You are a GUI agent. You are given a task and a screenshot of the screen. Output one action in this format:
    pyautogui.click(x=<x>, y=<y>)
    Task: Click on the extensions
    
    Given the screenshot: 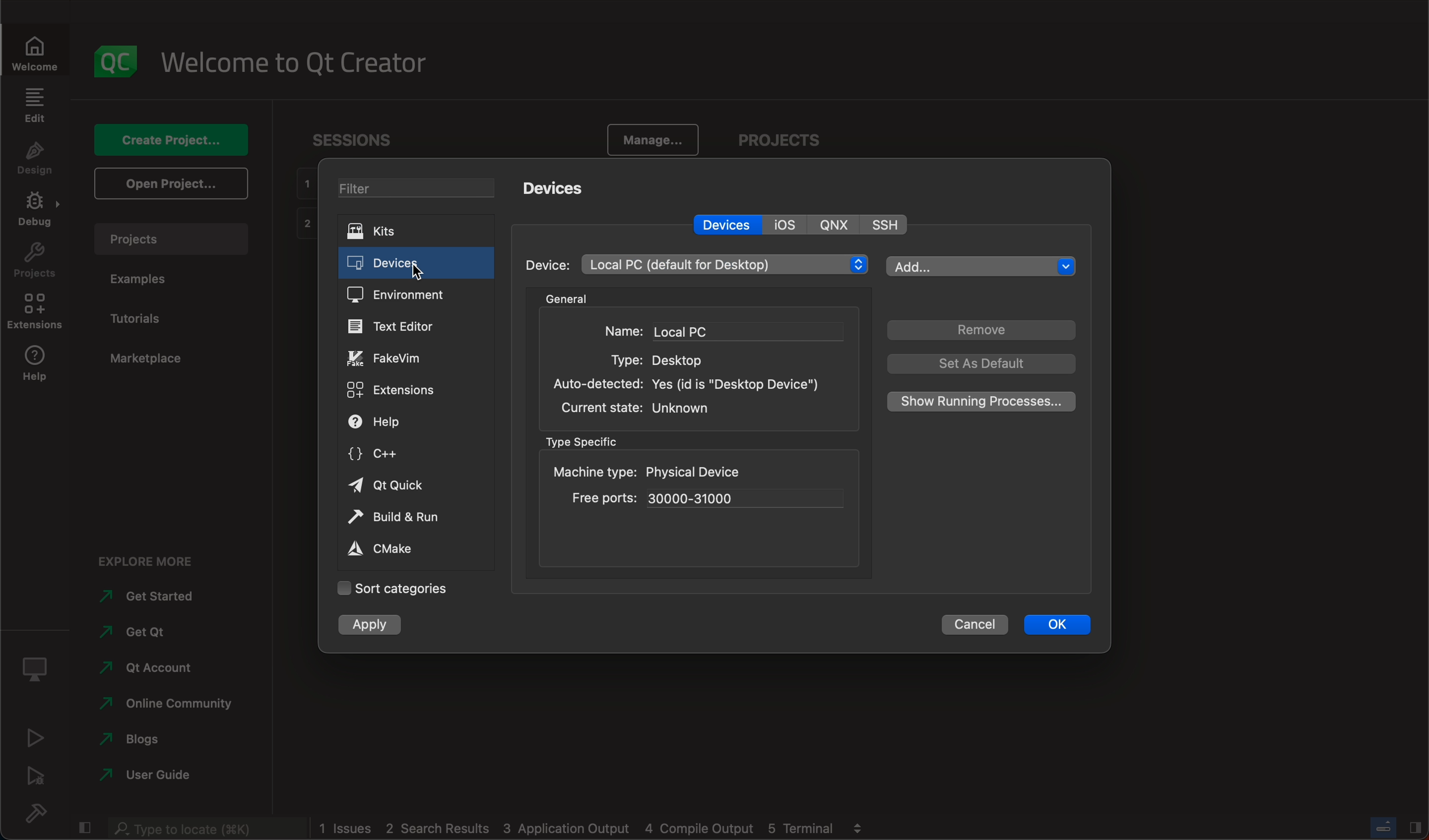 What is the action you would take?
    pyautogui.click(x=400, y=392)
    